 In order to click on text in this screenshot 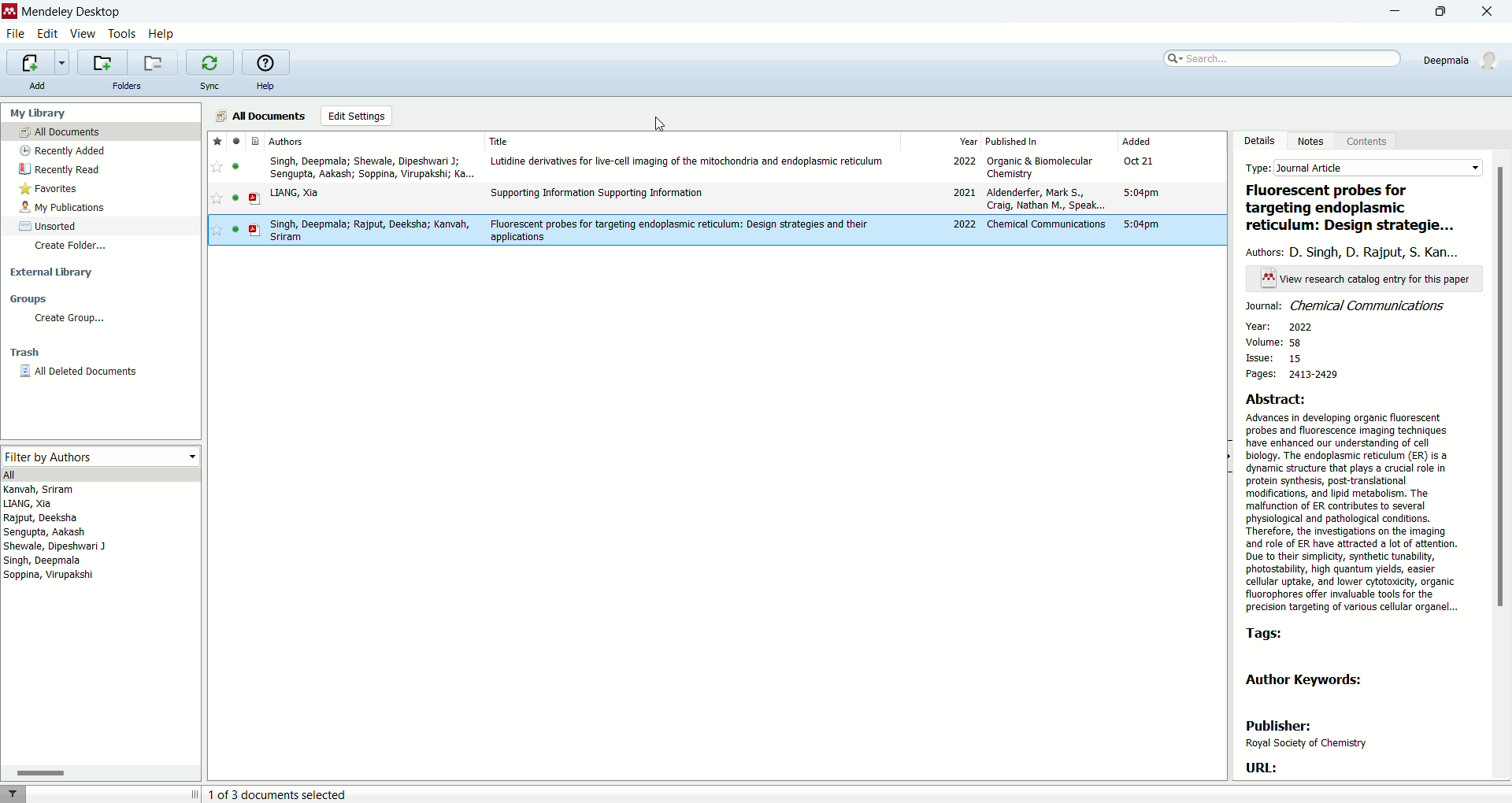, I will do `click(1367, 278)`.